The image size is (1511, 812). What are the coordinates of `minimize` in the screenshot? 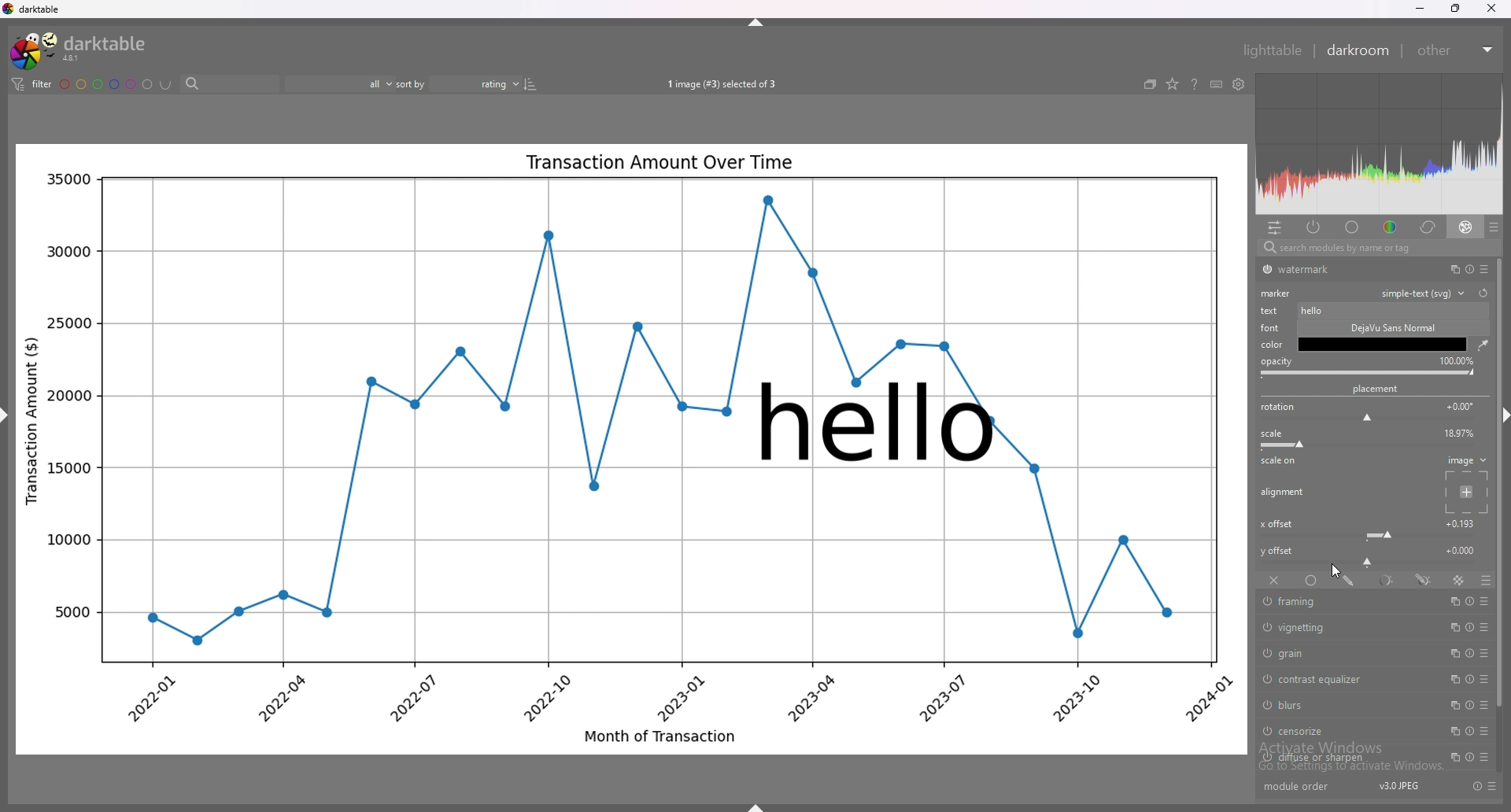 It's located at (1419, 9).